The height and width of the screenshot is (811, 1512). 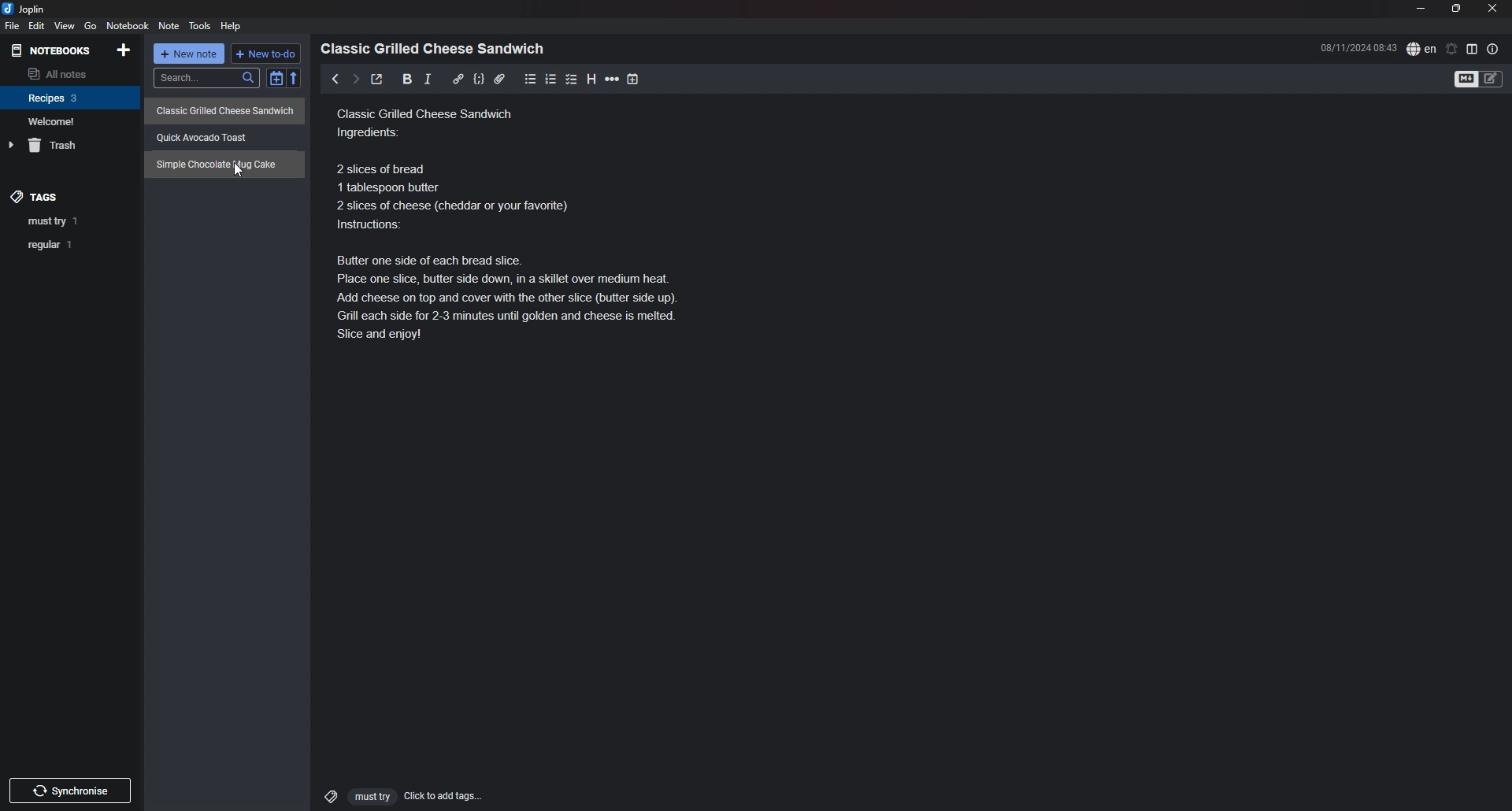 What do you see at coordinates (1494, 8) in the screenshot?
I see `close` at bounding box center [1494, 8].